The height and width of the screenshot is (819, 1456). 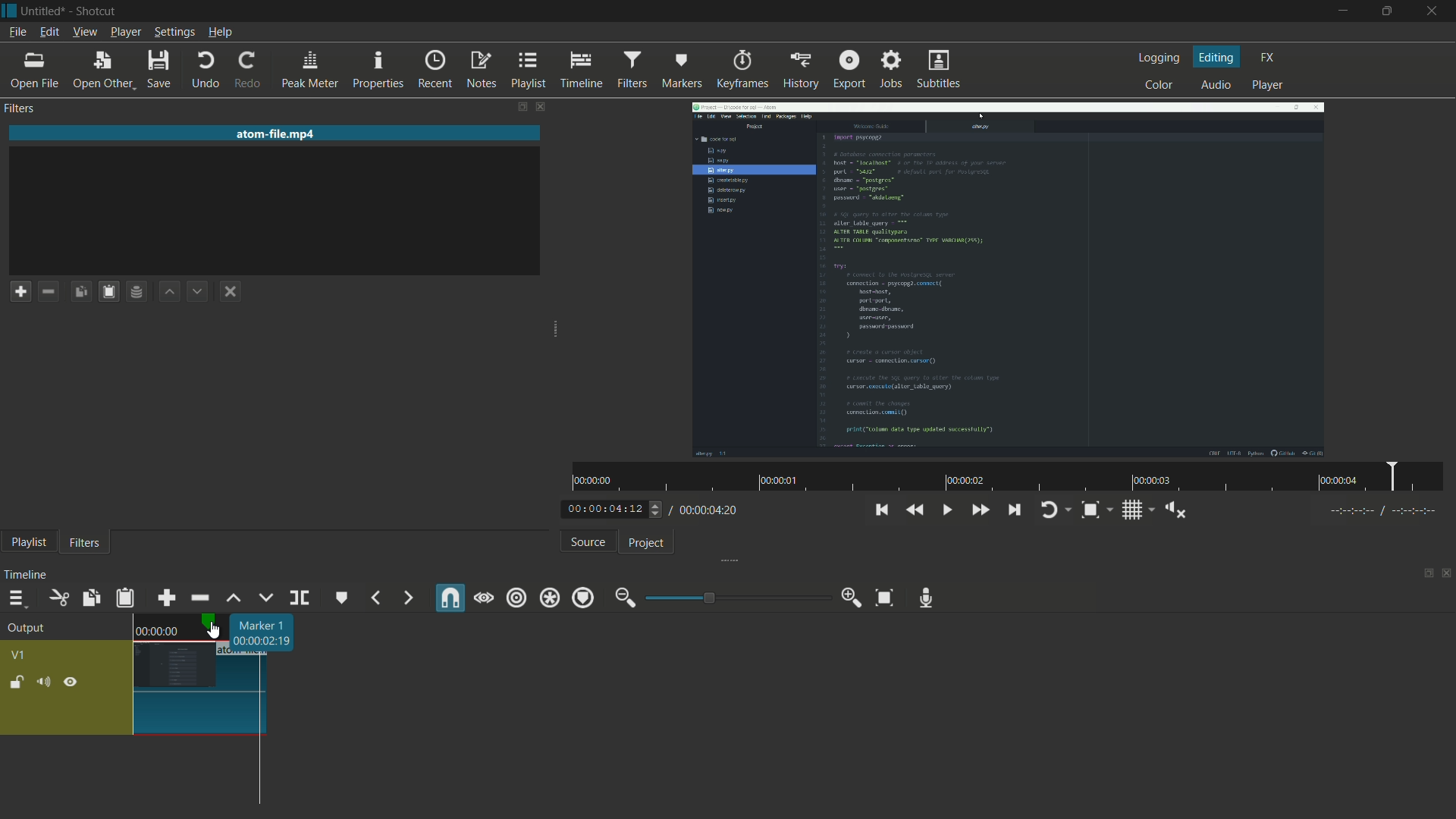 What do you see at coordinates (124, 598) in the screenshot?
I see `paste` at bounding box center [124, 598].